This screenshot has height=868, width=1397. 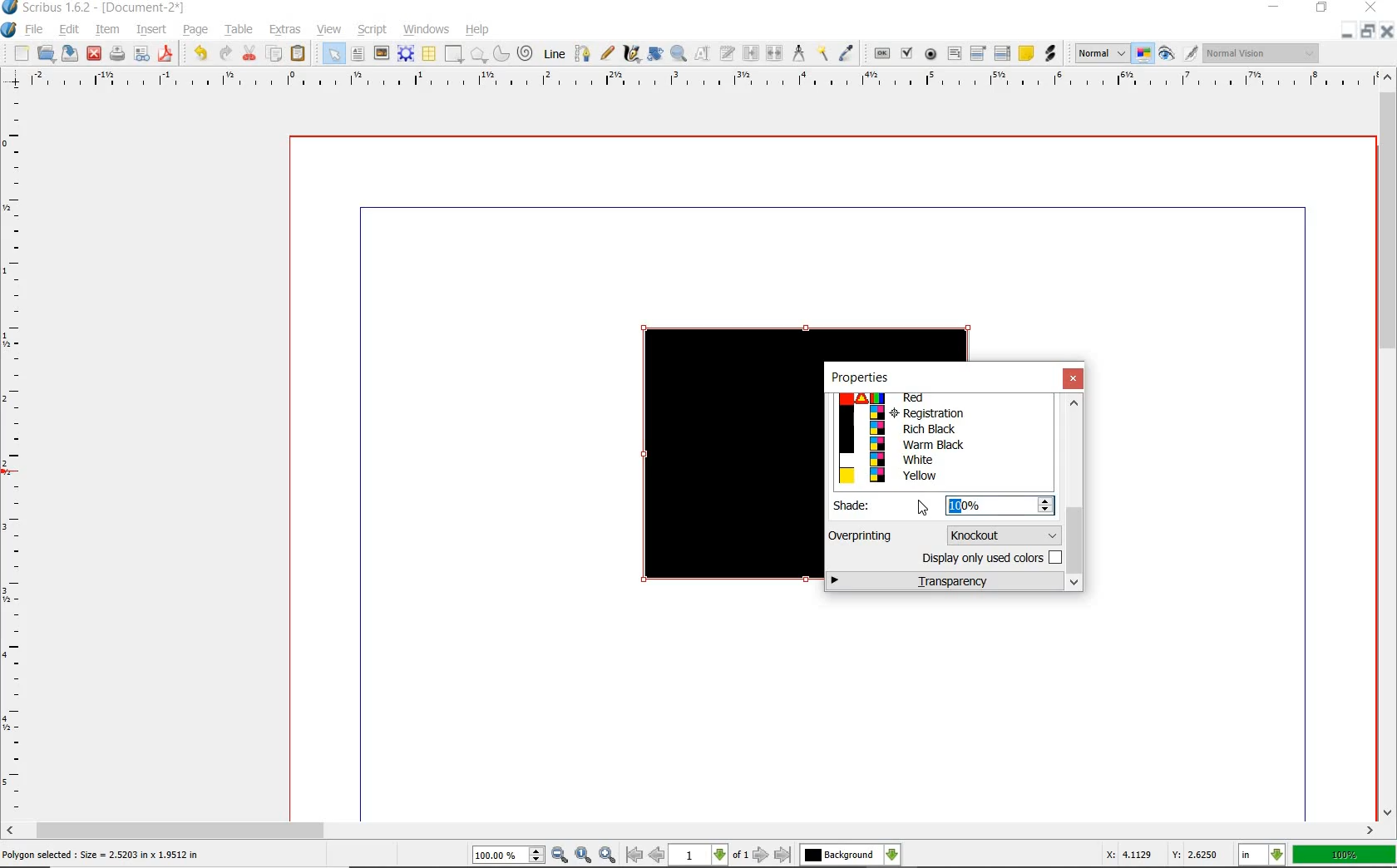 What do you see at coordinates (119, 56) in the screenshot?
I see `print` at bounding box center [119, 56].